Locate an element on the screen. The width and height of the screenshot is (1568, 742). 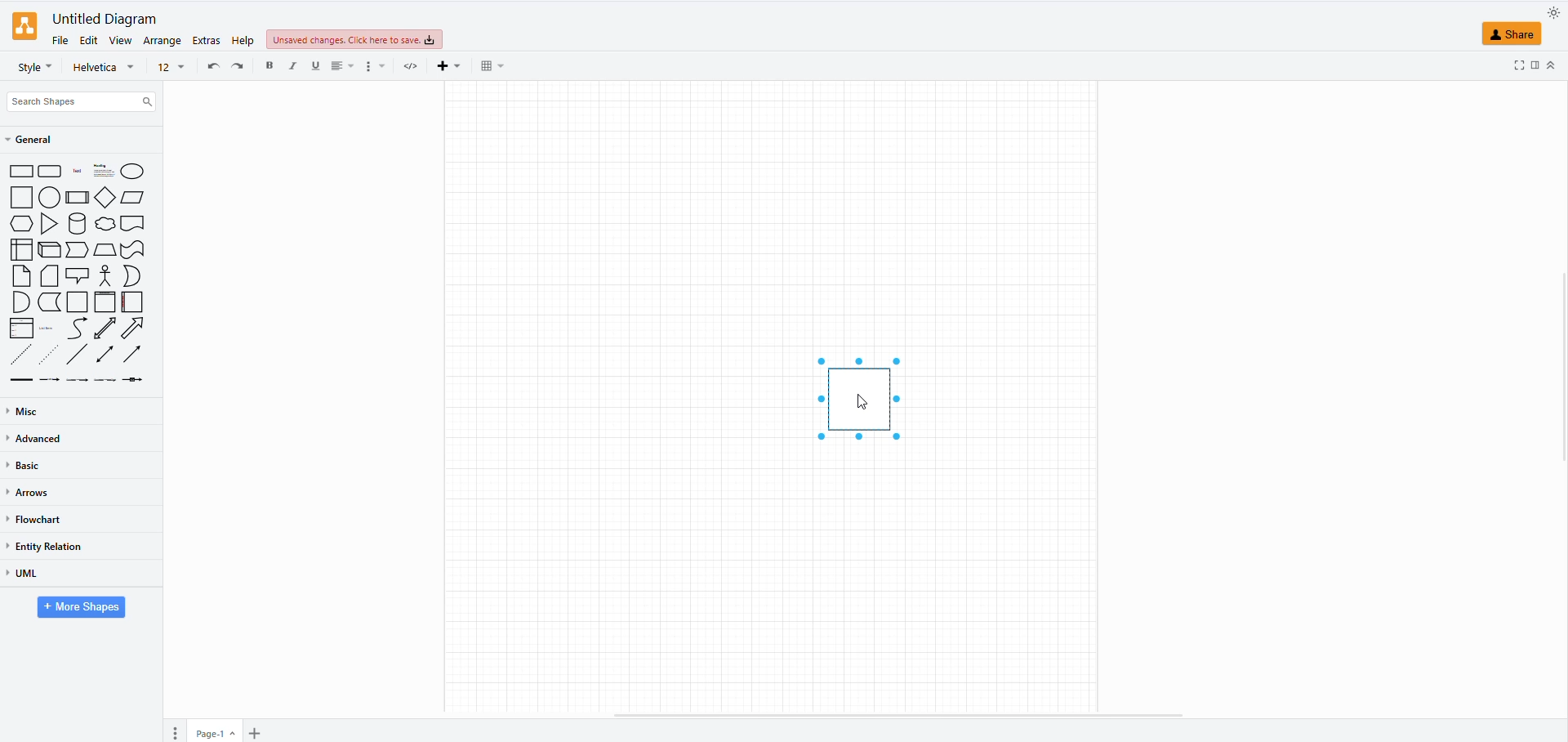
side is located at coordinates (1535, 65).